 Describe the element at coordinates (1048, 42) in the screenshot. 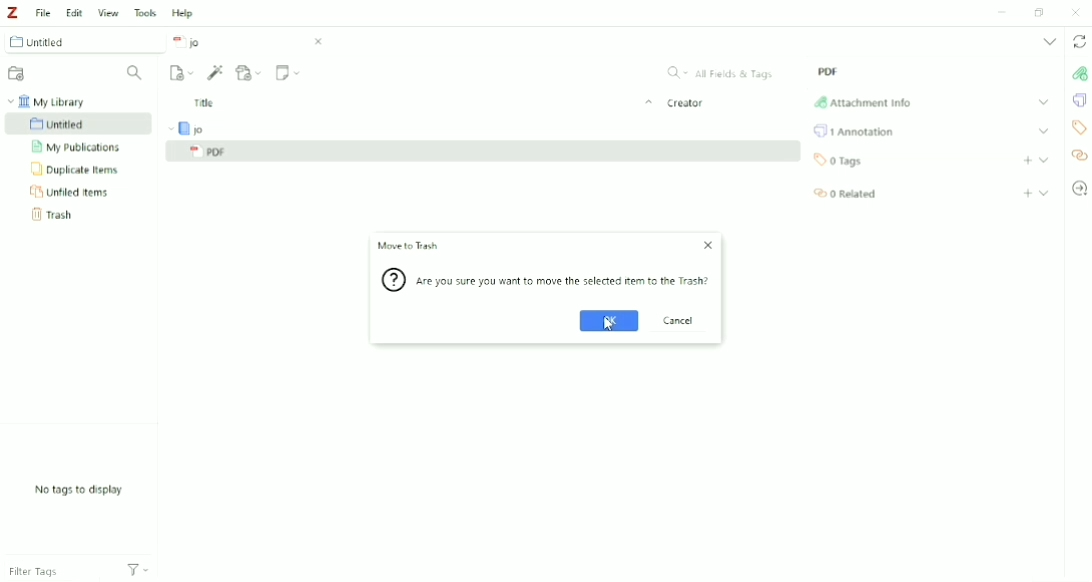

I see `List all tabs` at that location.